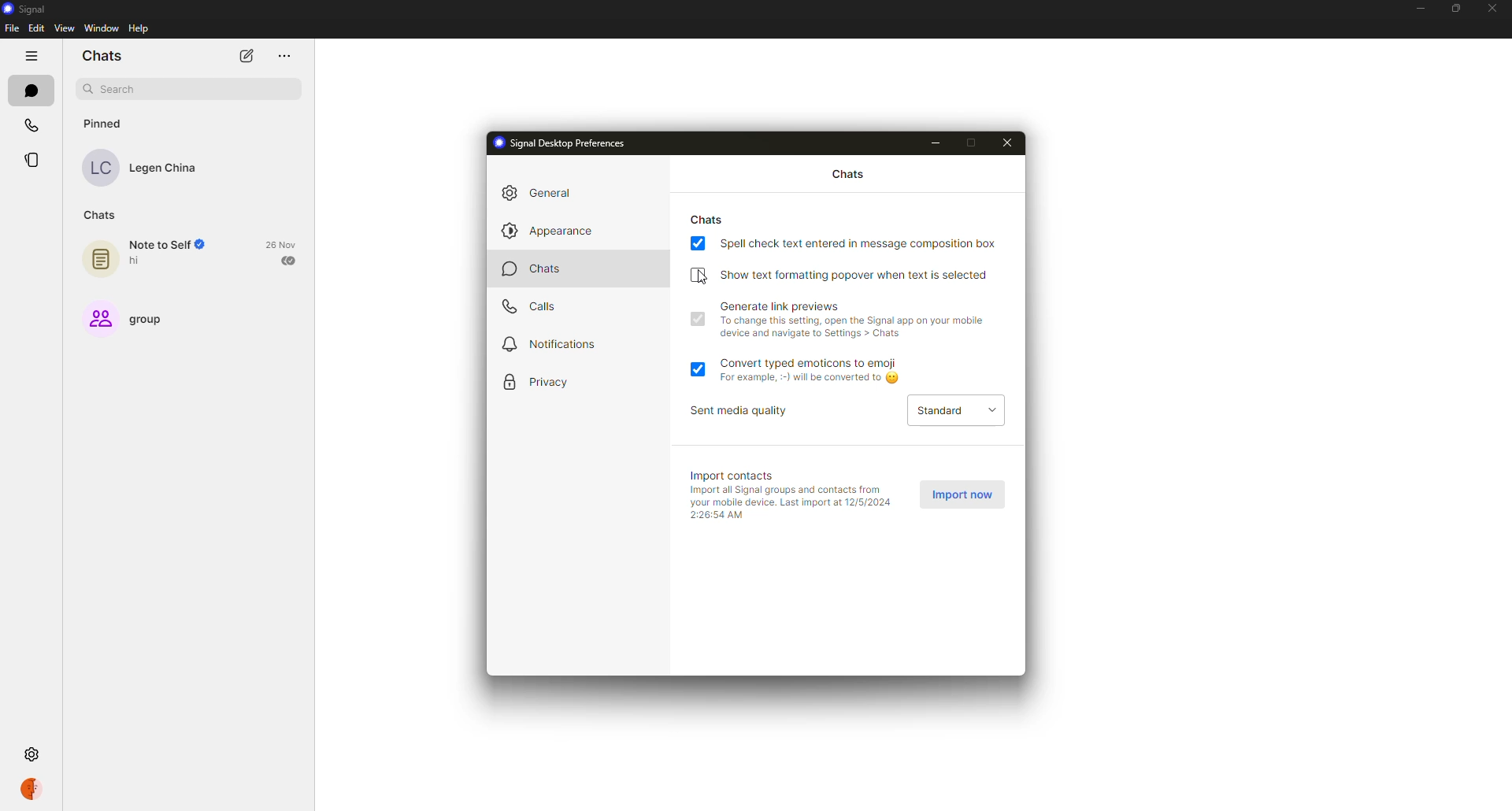 Image resolution: width=1512 pixels, height=811 pixels. I want to click on chats, so click(543, 271).